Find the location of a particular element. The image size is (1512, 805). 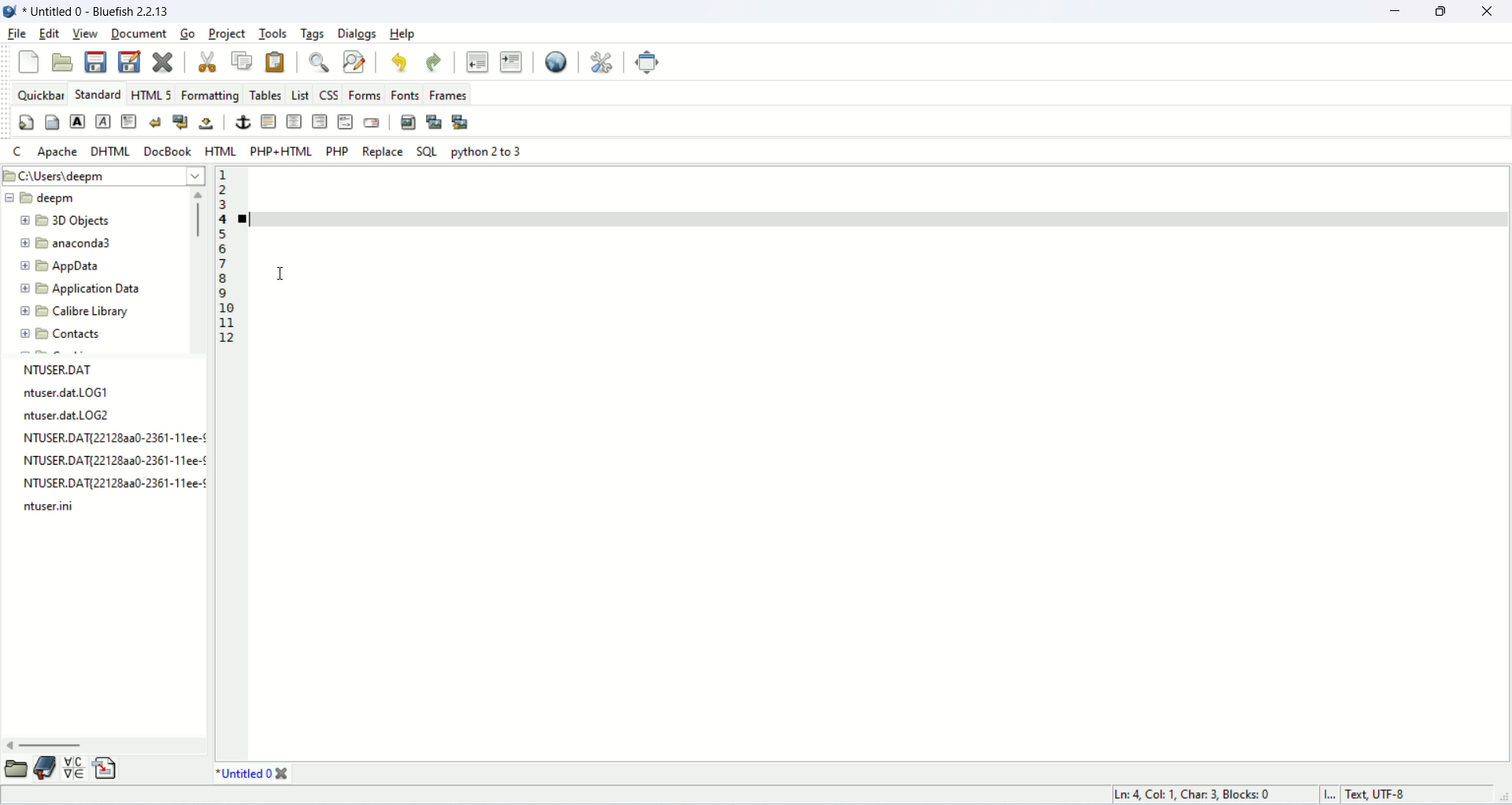

close current file is located at coordinates (165, 62).